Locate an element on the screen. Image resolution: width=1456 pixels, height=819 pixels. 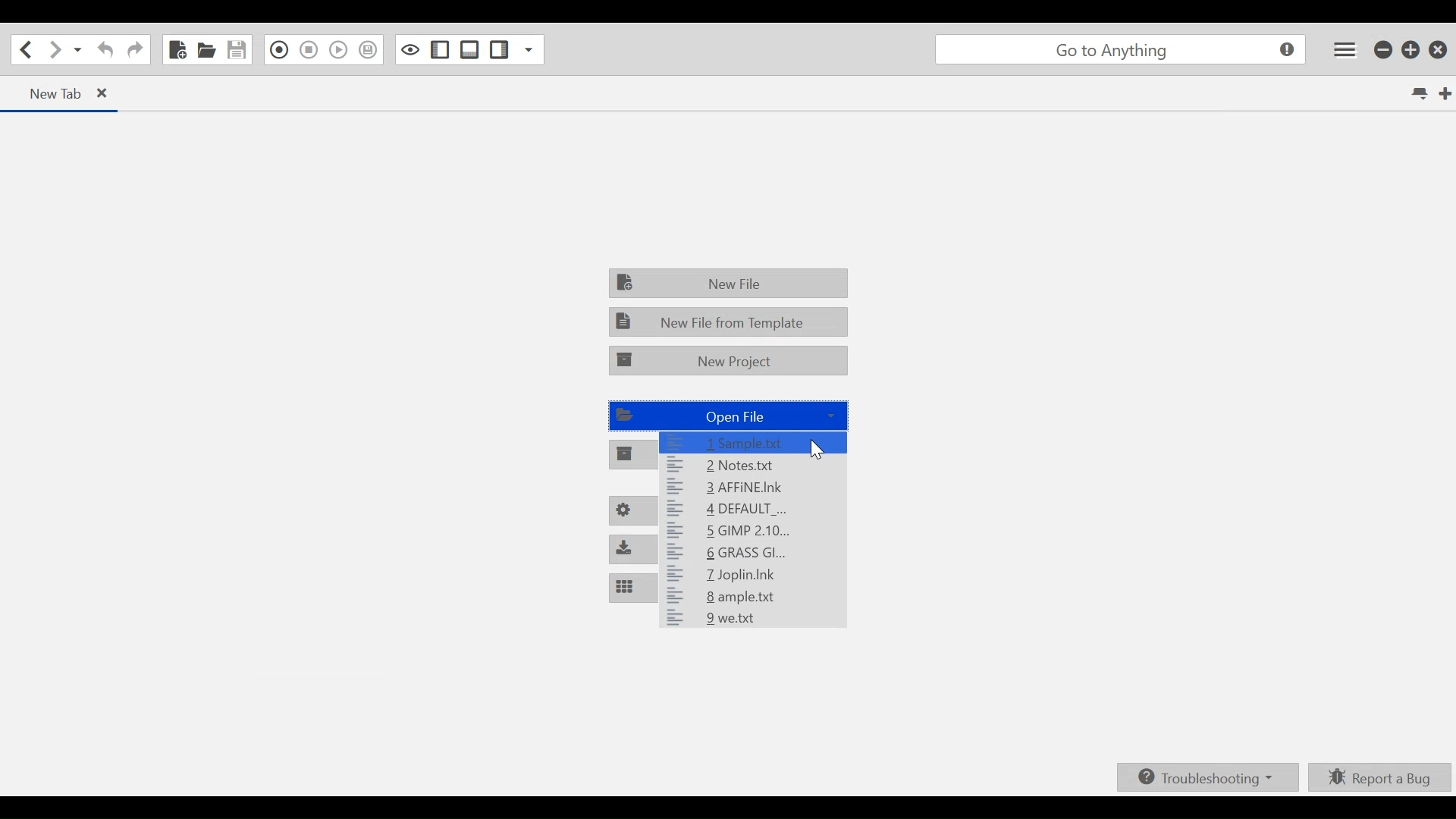
New Project is located at coordinates (729, 358).